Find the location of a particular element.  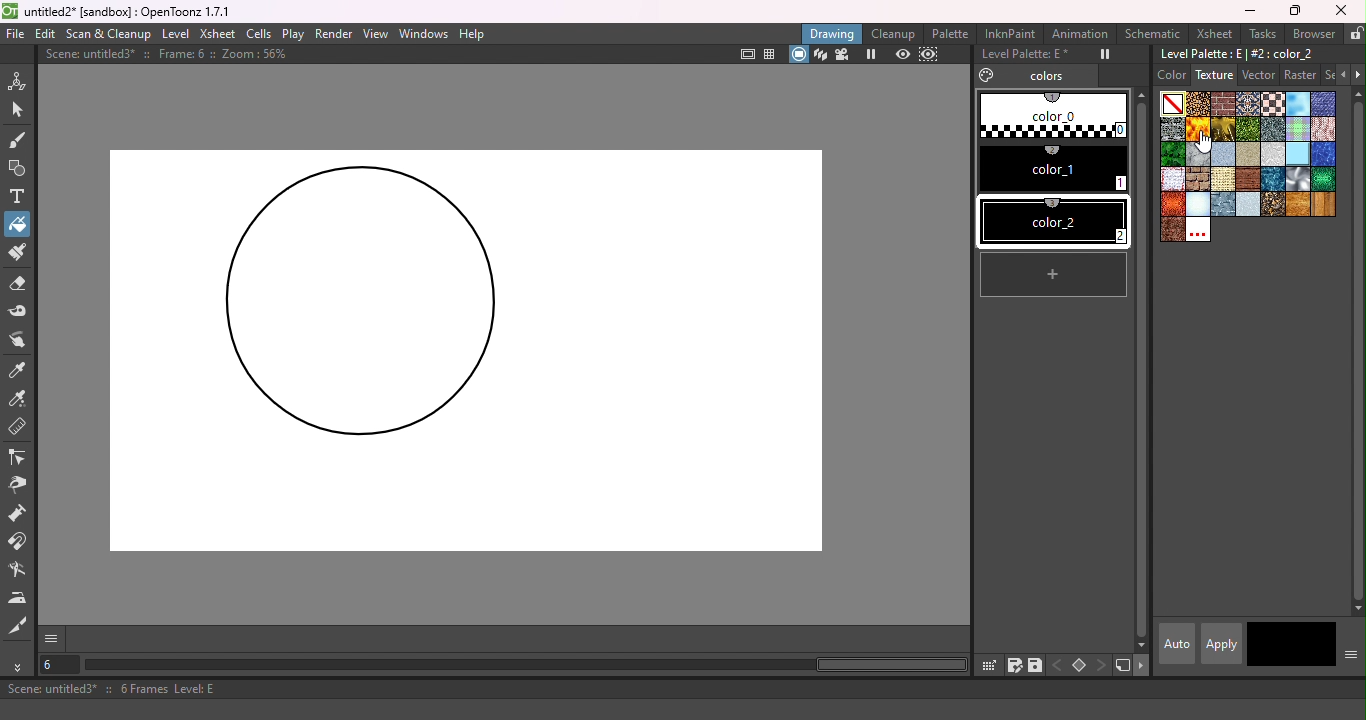

camera stand view is located at coordinates (798, 54).